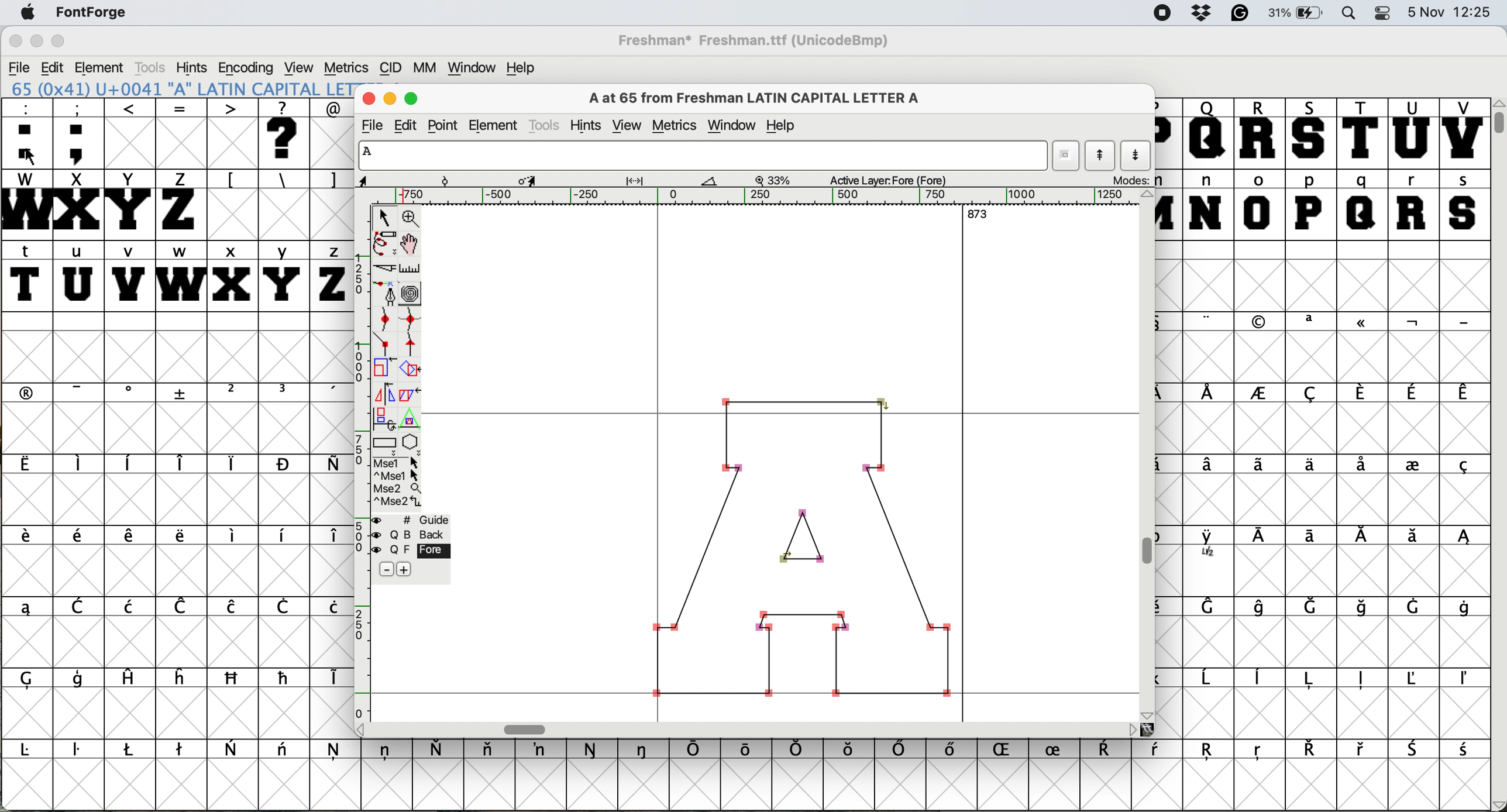  I want to click on hints, so click(194, 67).